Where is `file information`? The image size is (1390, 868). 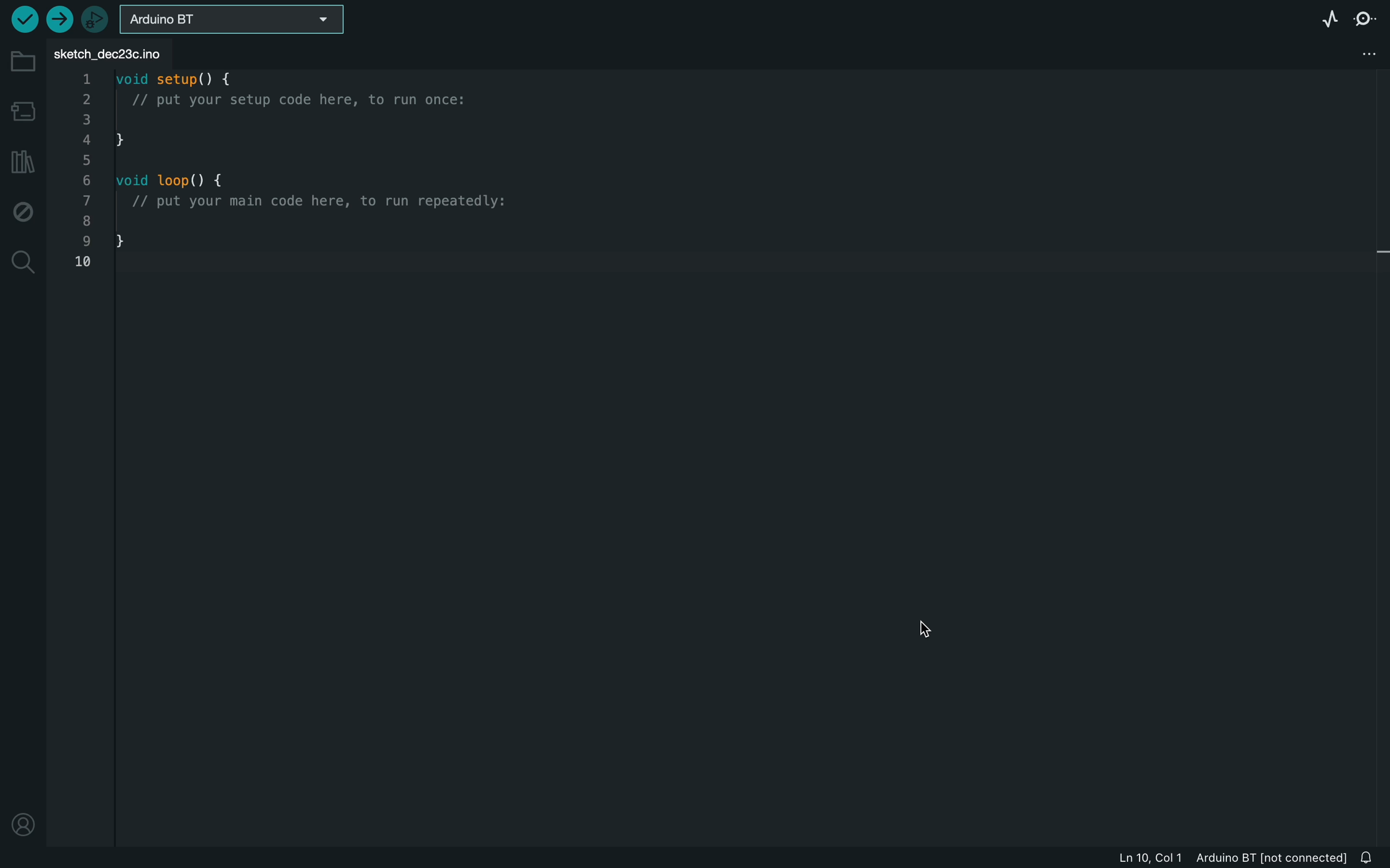
file information is located at coordinates (1214, 858).